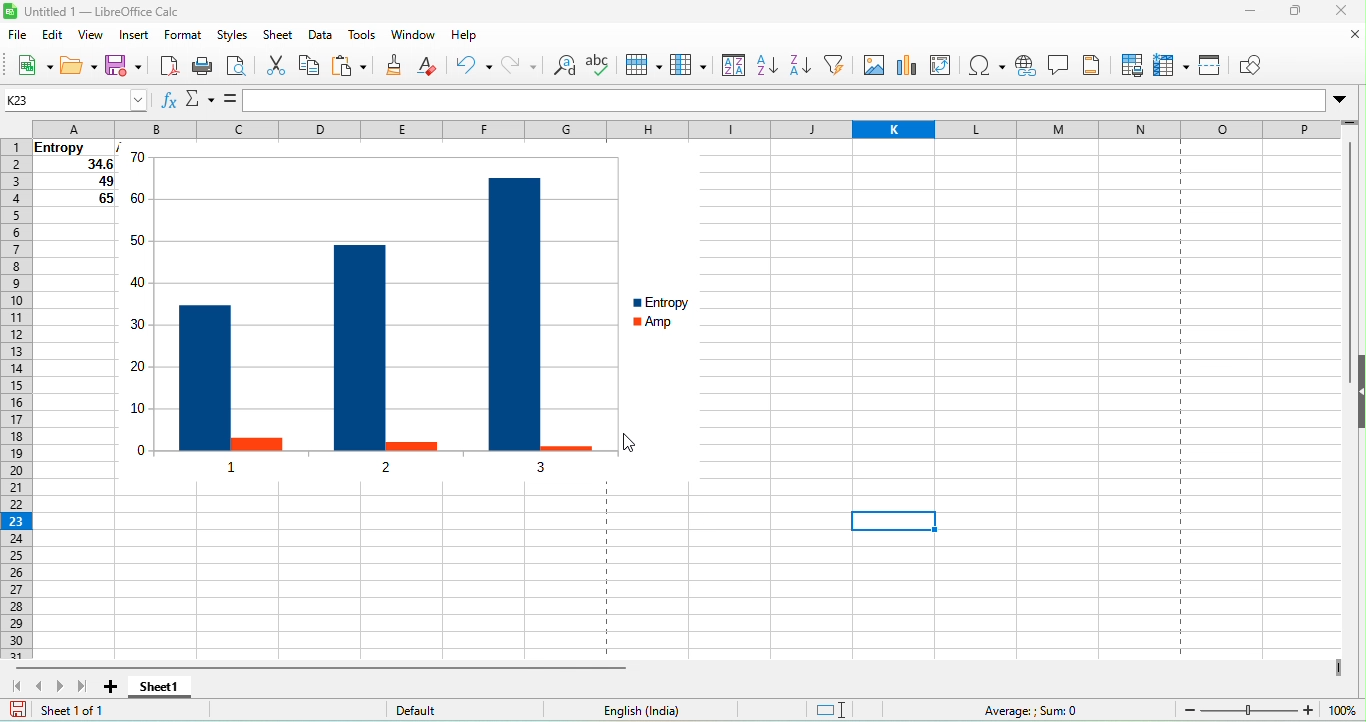 This screenshot has width=1366, height=722. I want to click on header and footers, so click(1092, 68).